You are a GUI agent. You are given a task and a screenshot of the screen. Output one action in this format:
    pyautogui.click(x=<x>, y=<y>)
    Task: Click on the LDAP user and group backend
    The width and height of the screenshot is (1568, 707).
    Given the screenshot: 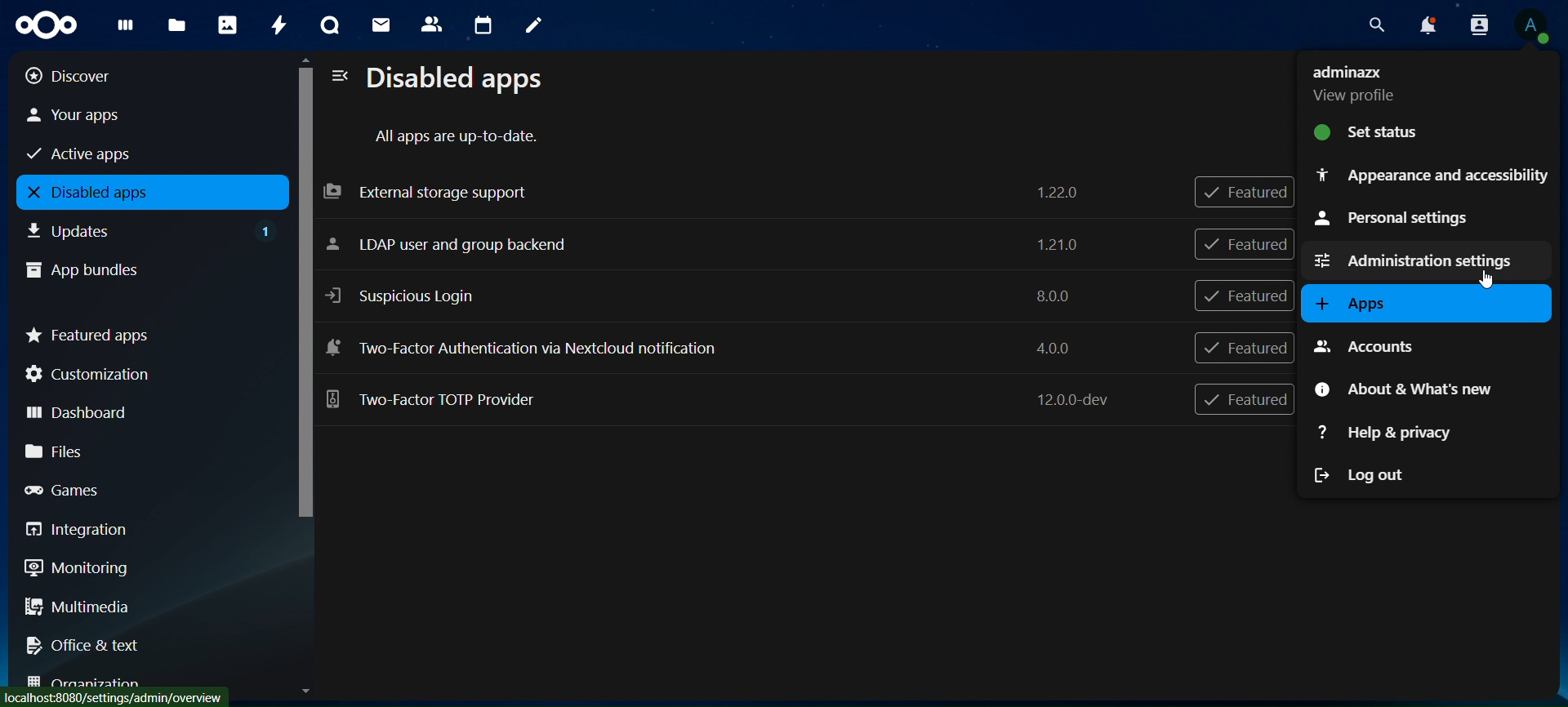 What is the action you would take?
    pyautogui.click(x=711, y=246)
    